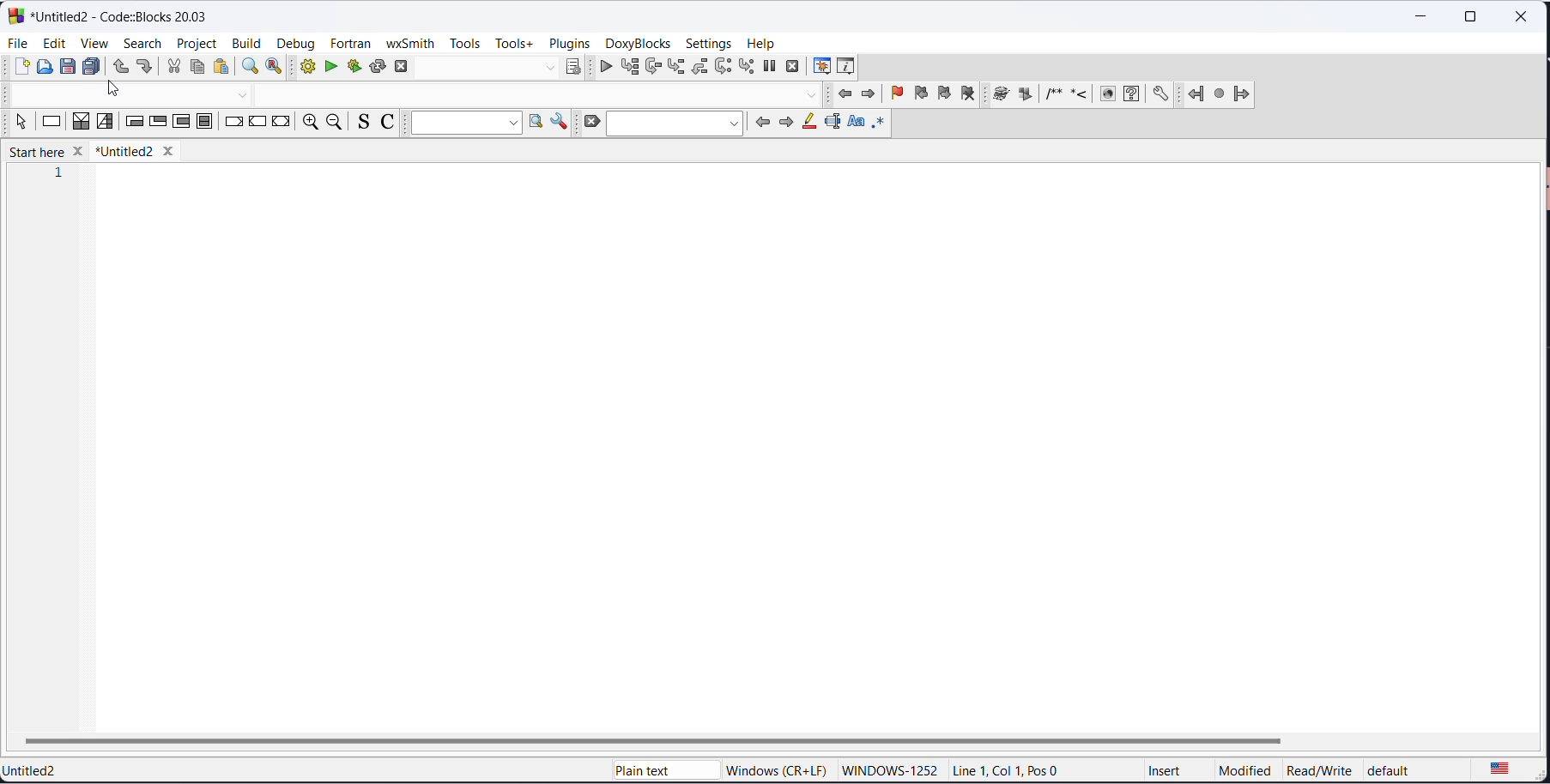 The height and width of the screenshot is (784, 1550). I want to click on Edit, so click(54, 41).